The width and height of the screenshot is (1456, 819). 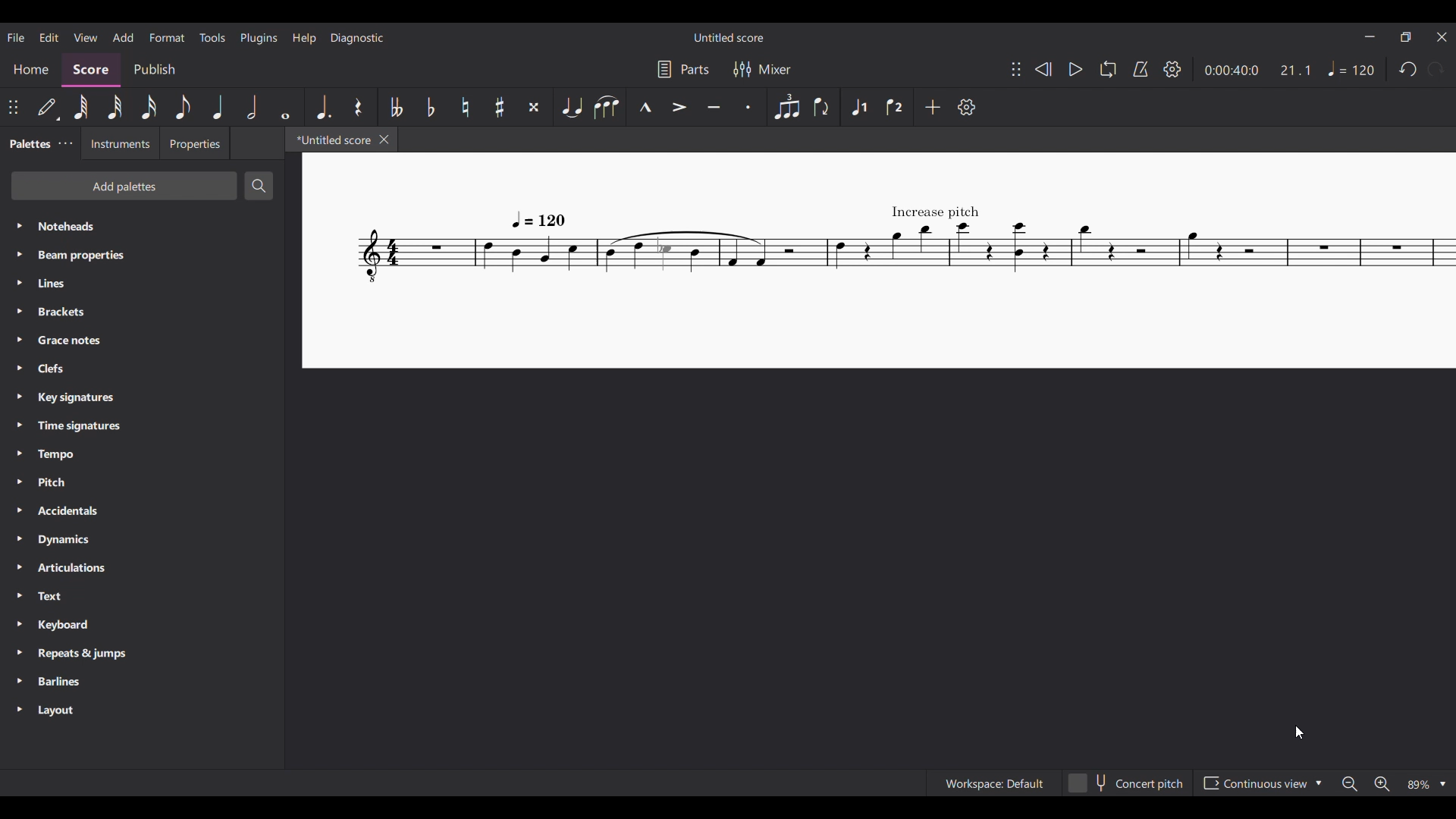 What do you see at coordinates (1370, 36) in the screenshot?
I see `Minimize` at bounding box center [1370, 36].